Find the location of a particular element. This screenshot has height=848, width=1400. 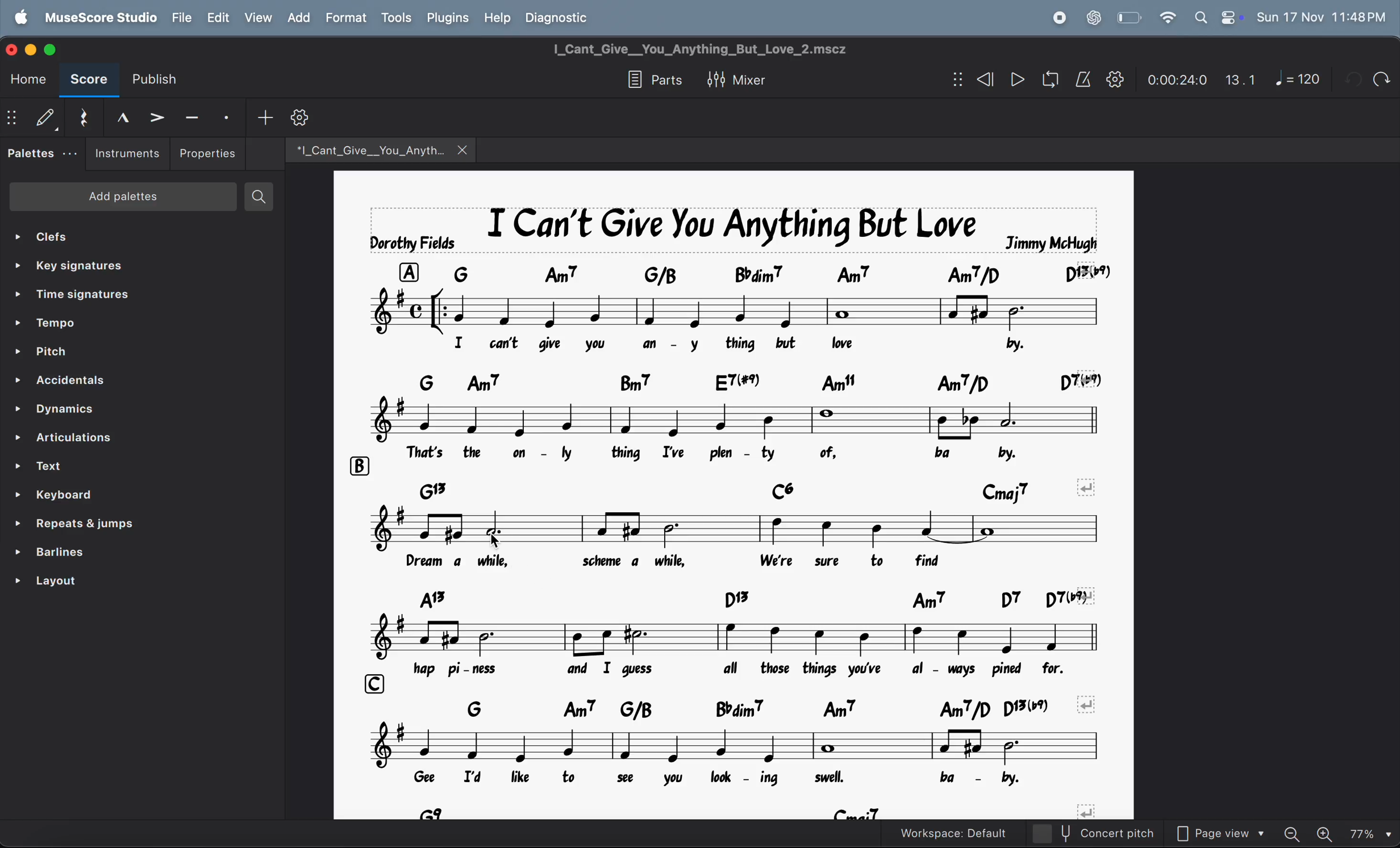

keyboard is located at coordinates (116, 495).